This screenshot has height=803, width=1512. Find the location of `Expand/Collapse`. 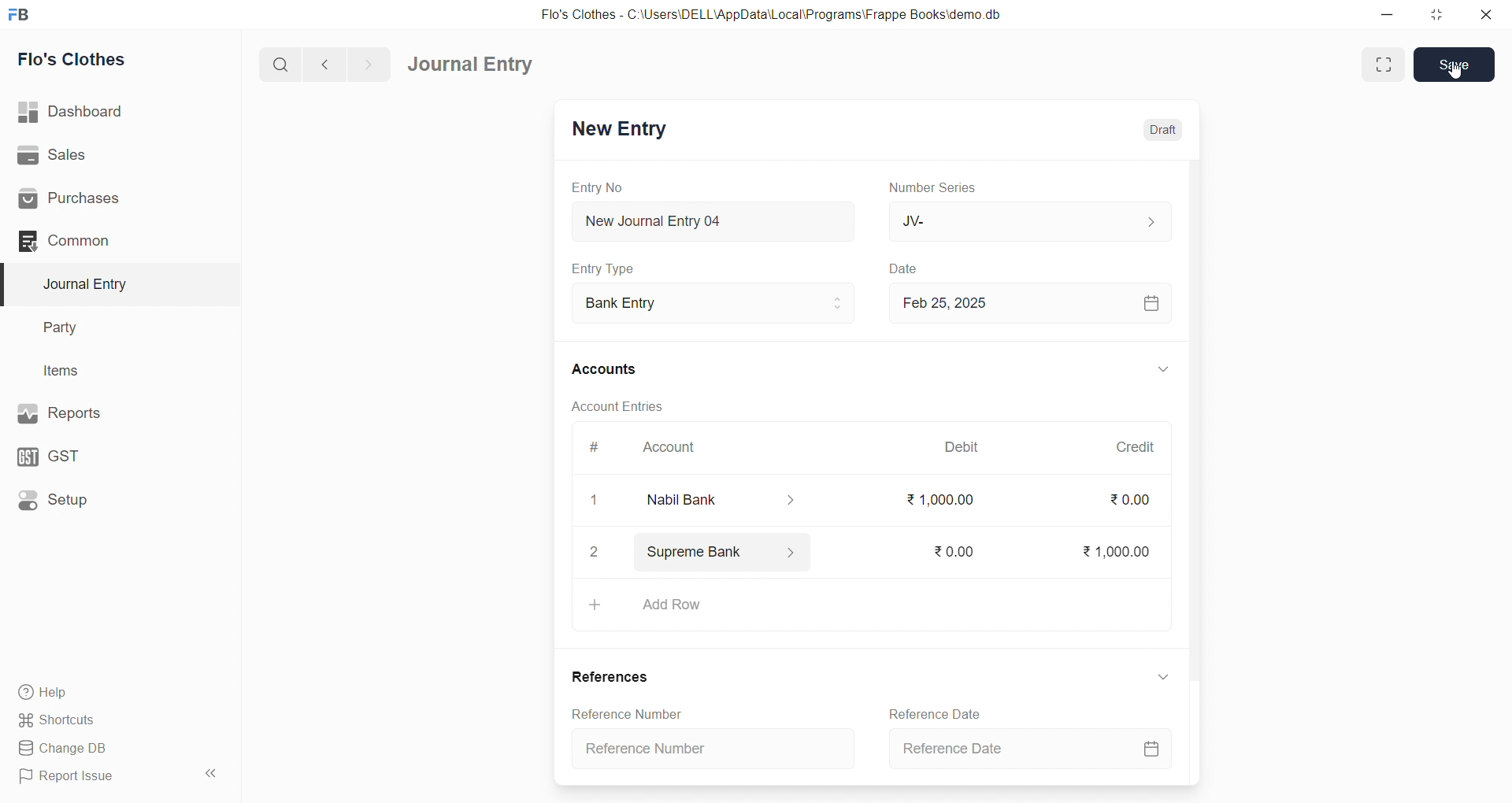

Expand/Collapse is located at coordinates (1152, 371).